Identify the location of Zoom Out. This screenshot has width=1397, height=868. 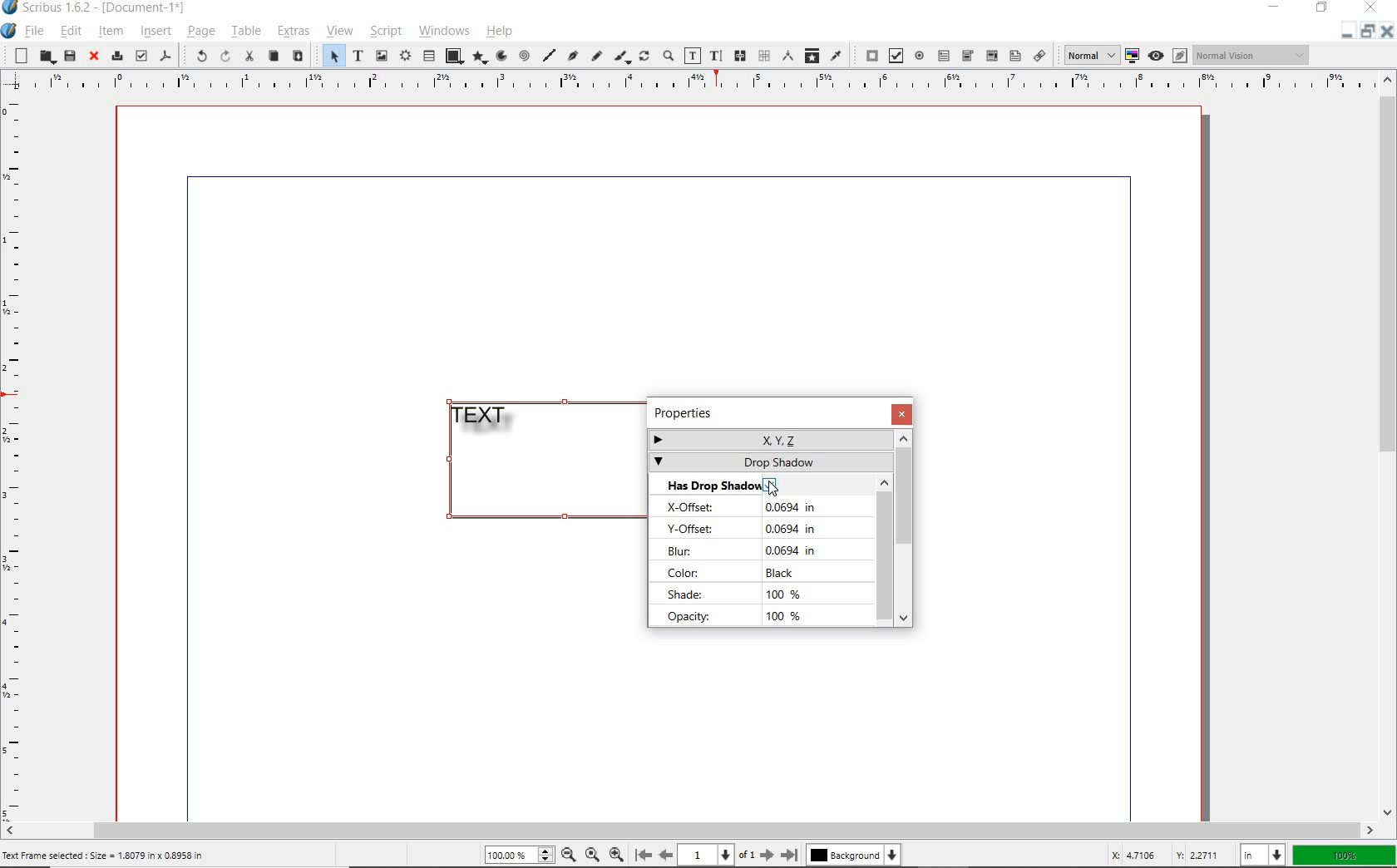
(570, 856).